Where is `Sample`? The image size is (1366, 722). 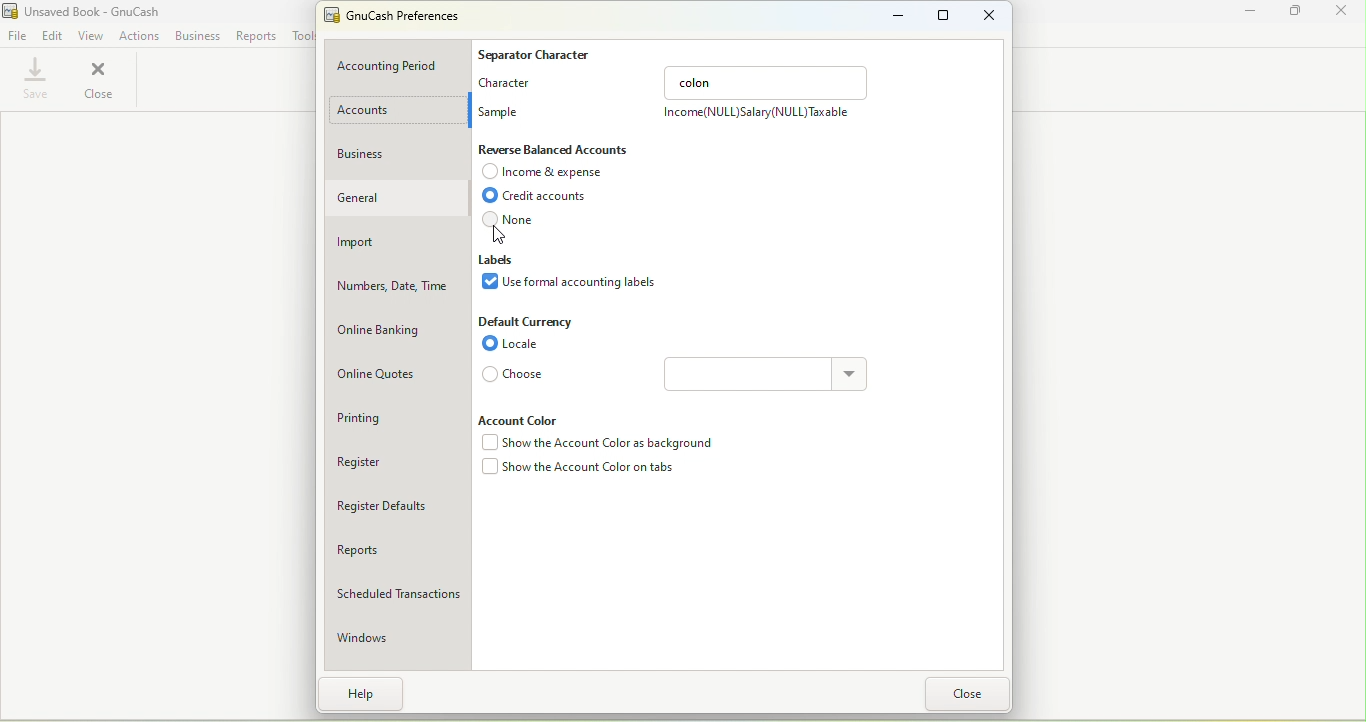 Sample is located at coordinates (502, 109).